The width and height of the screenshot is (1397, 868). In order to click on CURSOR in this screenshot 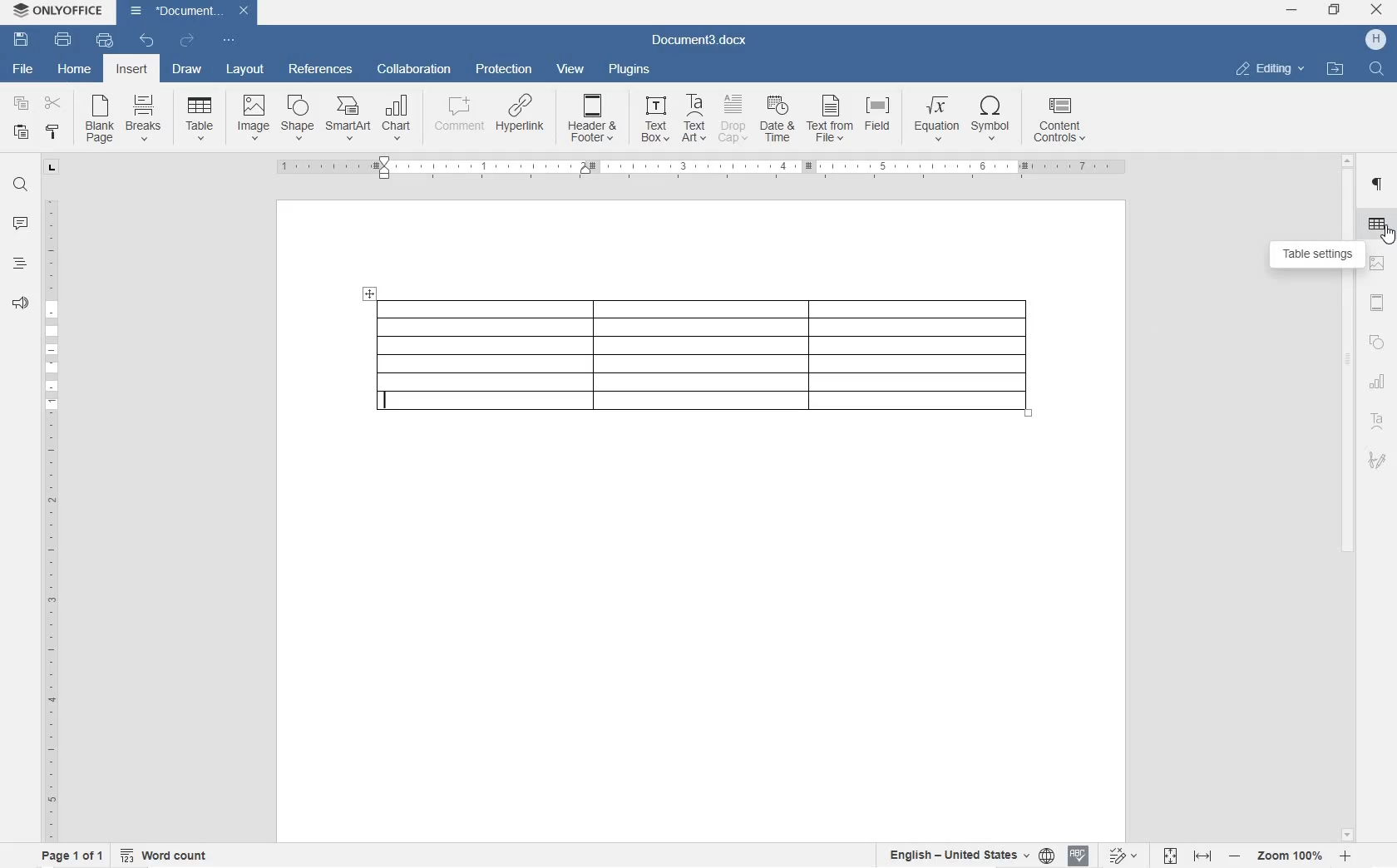, I will do `click(1387, 235)`.